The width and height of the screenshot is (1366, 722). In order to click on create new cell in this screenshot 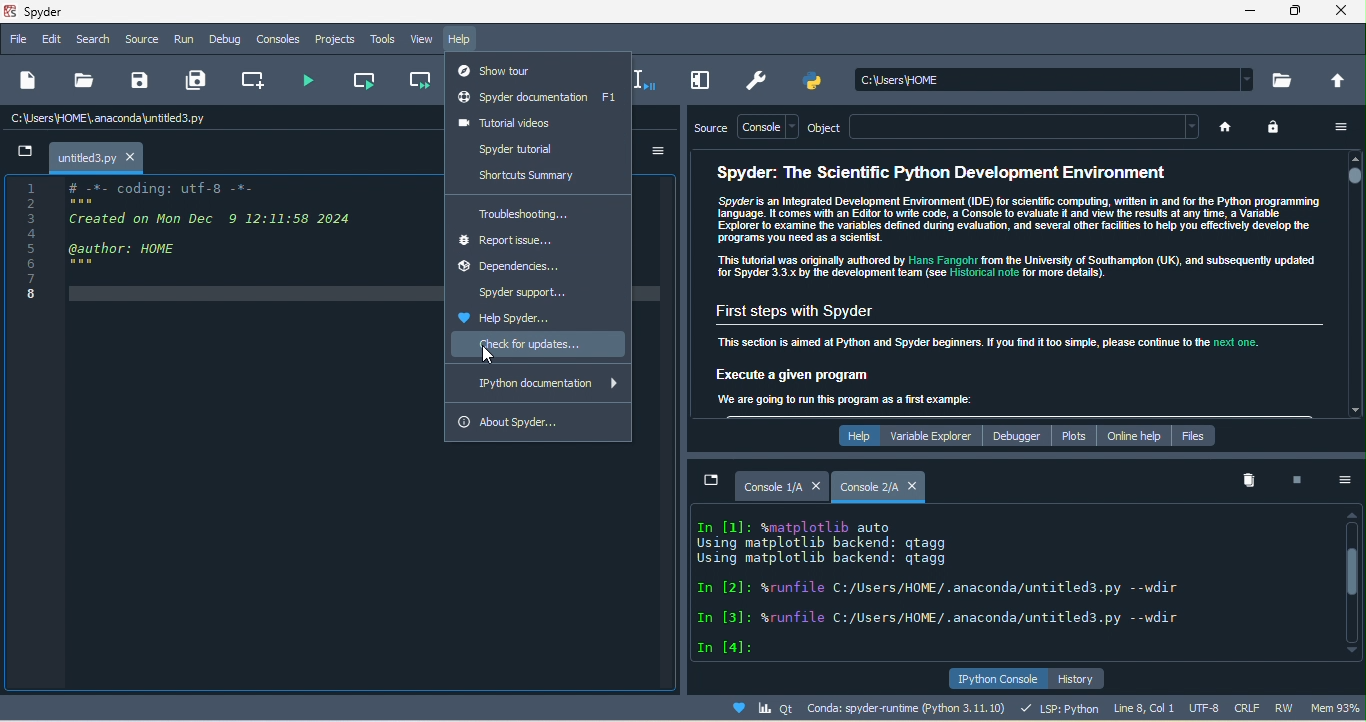, I will do `click(255, 79)`.